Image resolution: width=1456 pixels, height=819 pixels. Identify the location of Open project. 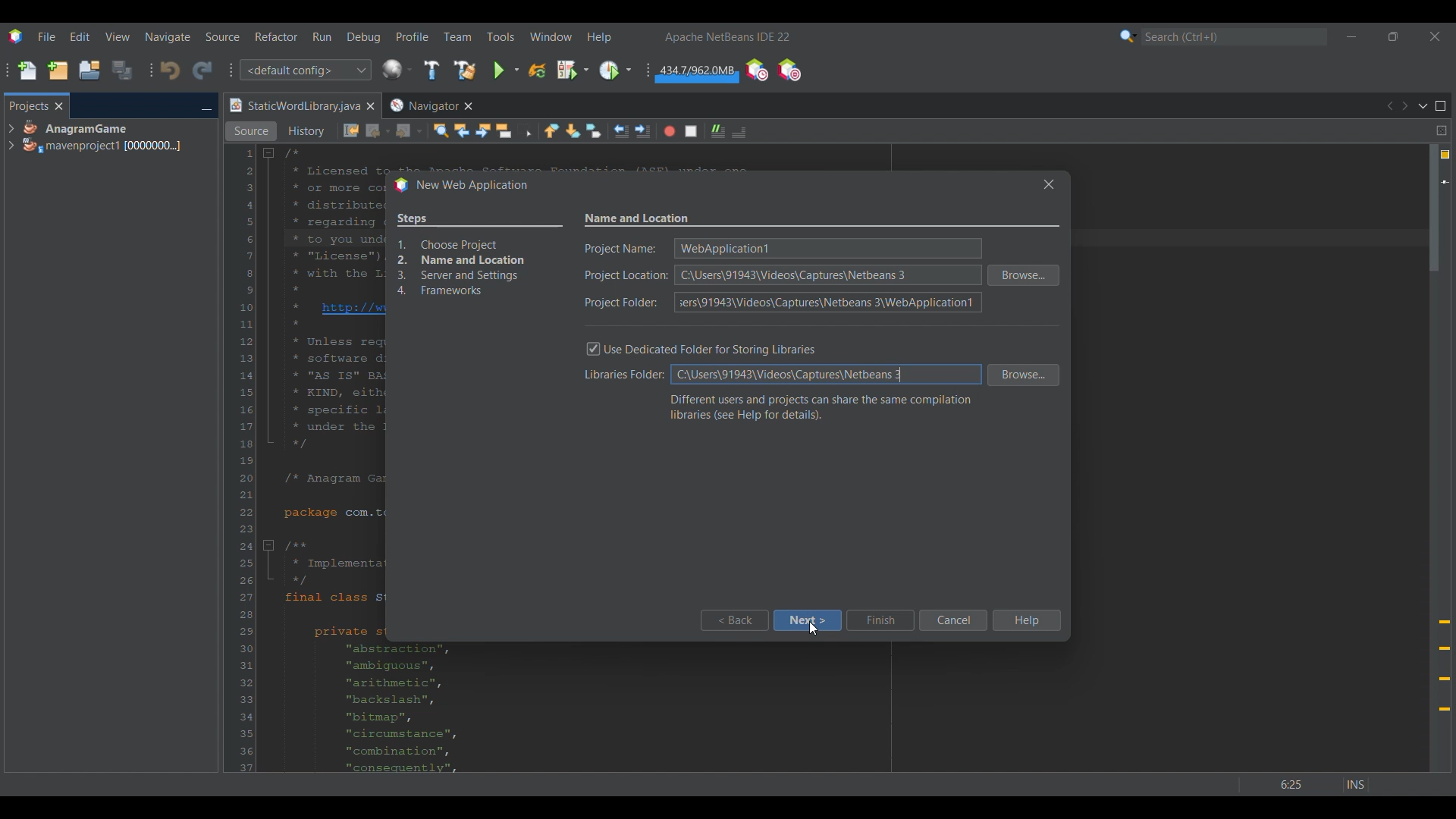
(89, 70).